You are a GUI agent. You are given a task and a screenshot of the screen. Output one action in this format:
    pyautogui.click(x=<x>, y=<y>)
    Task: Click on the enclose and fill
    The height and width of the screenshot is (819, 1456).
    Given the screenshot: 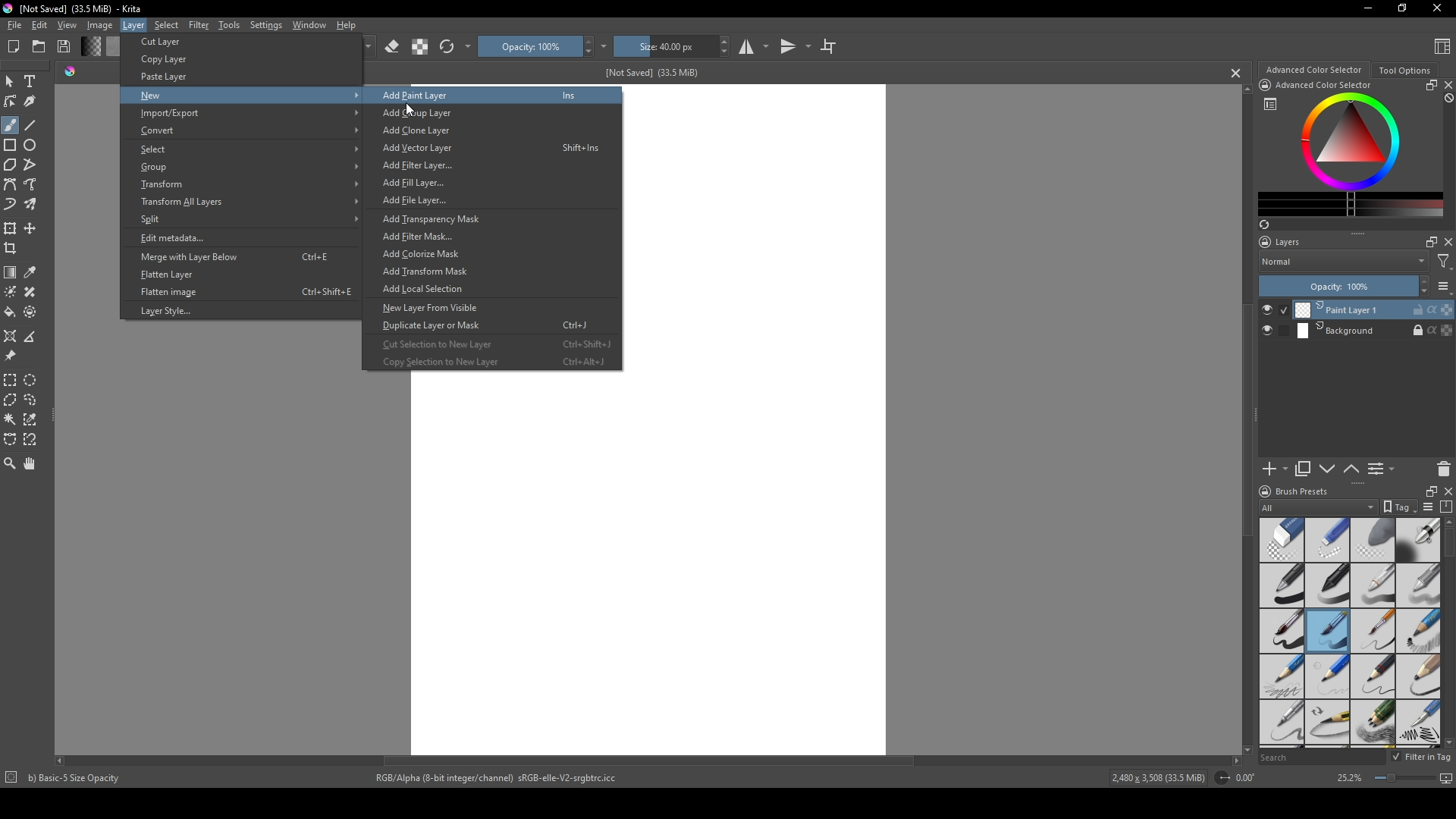 What is the action you would take?
    pyautogui.click(x=32, y=312)
    